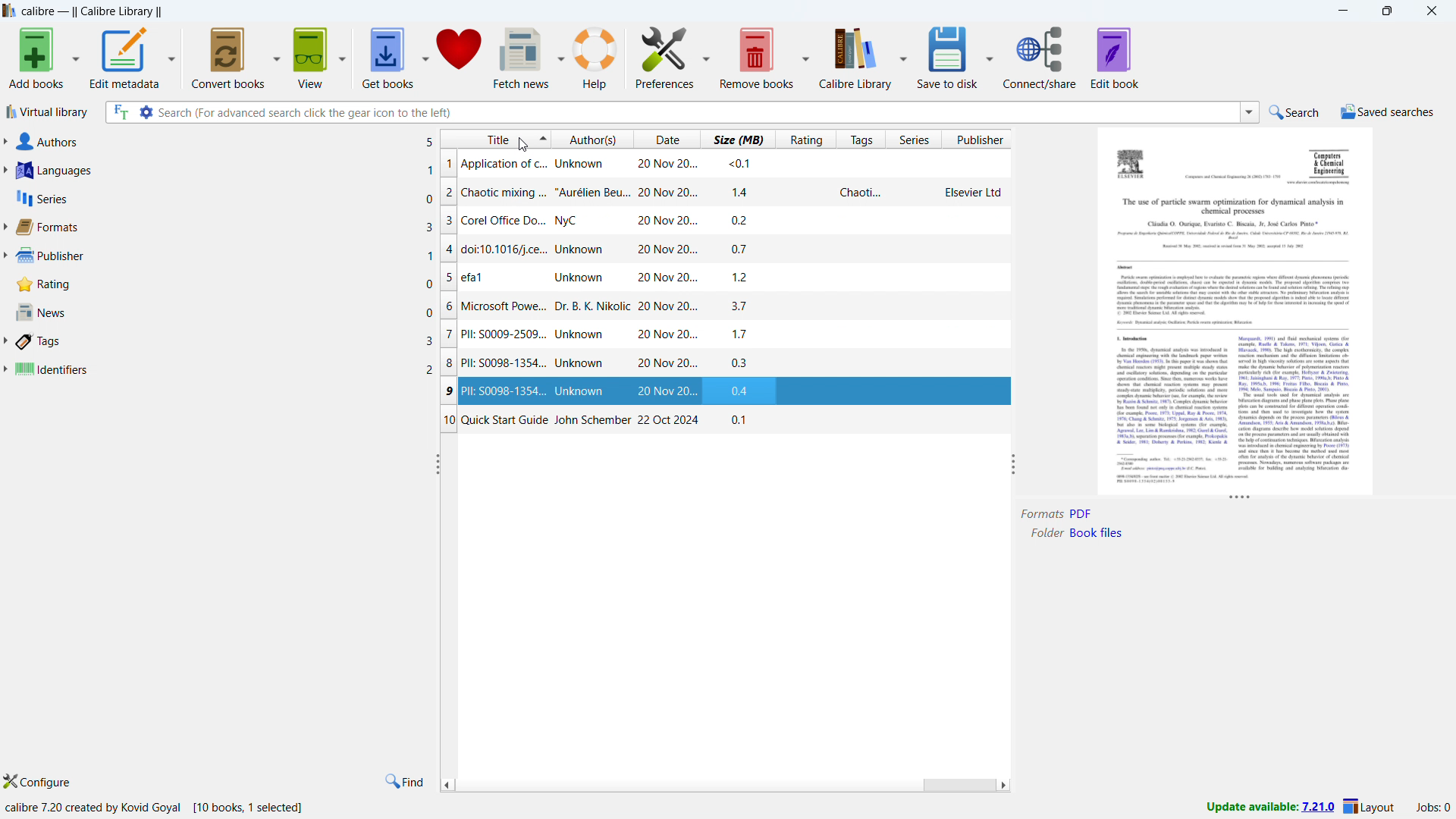 This screenshot has height=819, width=1456. I want to click on close, so click(1432, 9).